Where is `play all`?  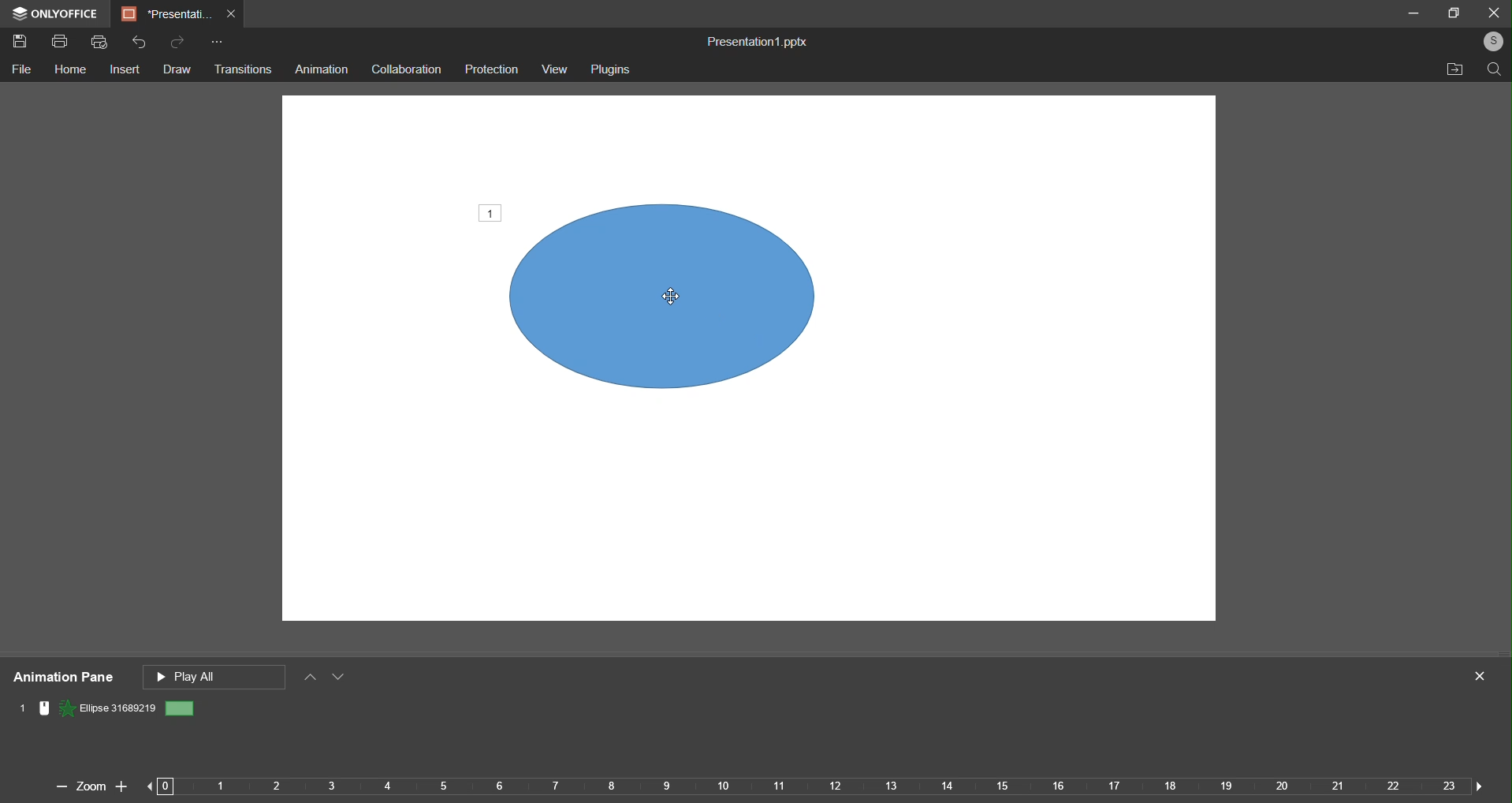
play all is located at coordinates (216, 675).